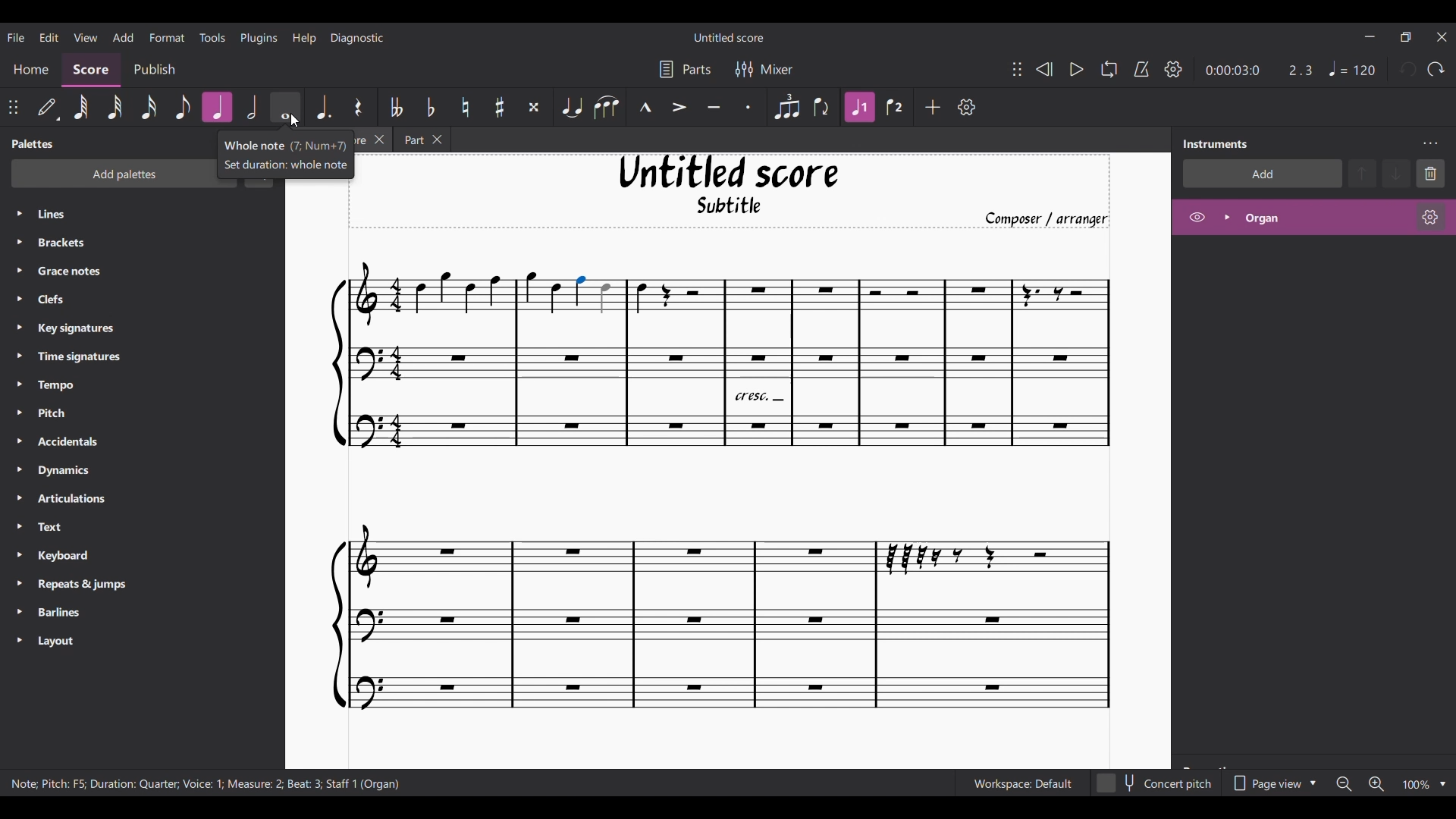  What do you see at coordinates (500, 107) in the screenshot?
I see `Toggle sharp` at bounding box center [500, 107].